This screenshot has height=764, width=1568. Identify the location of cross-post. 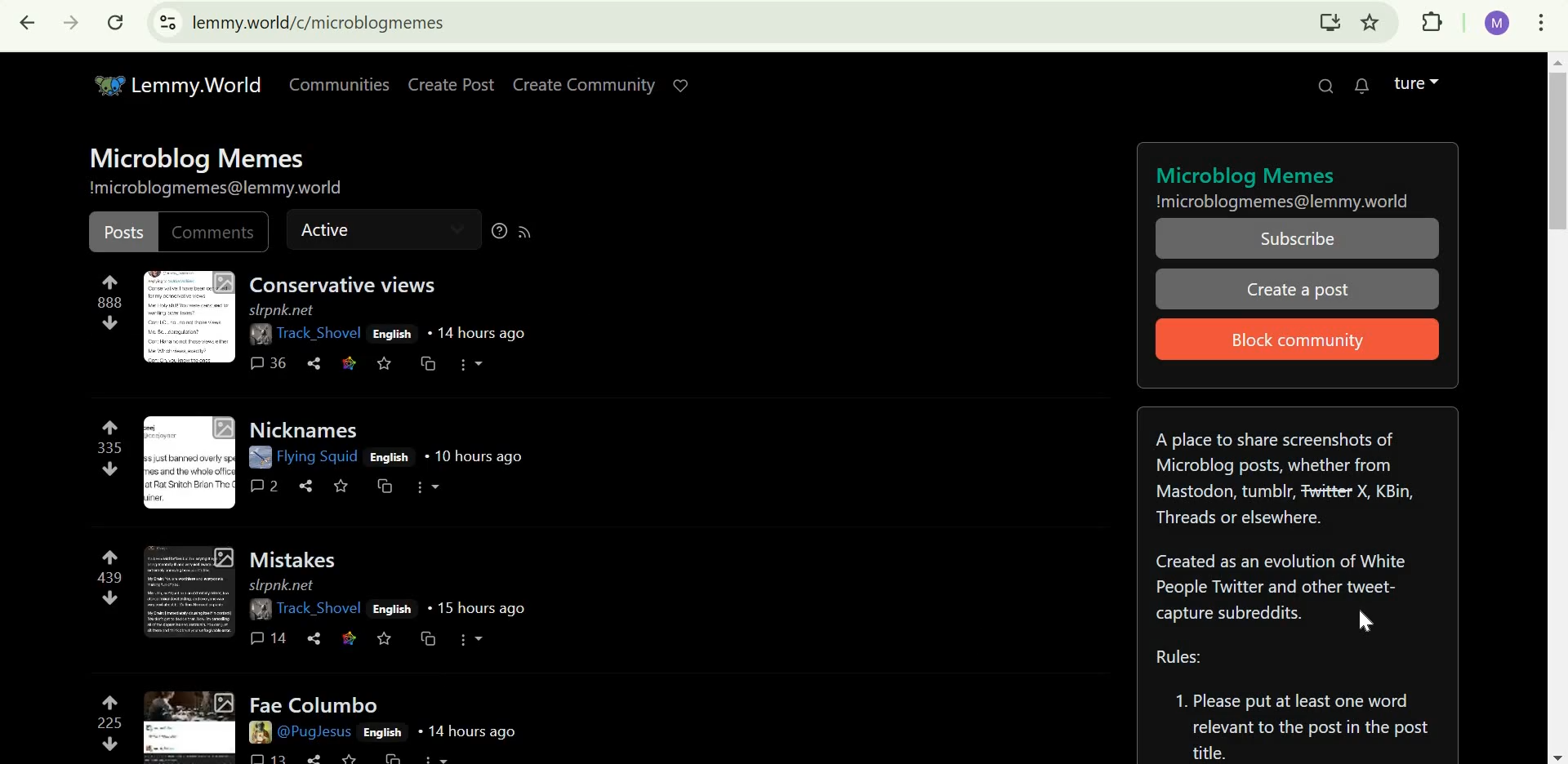
(428, 640).